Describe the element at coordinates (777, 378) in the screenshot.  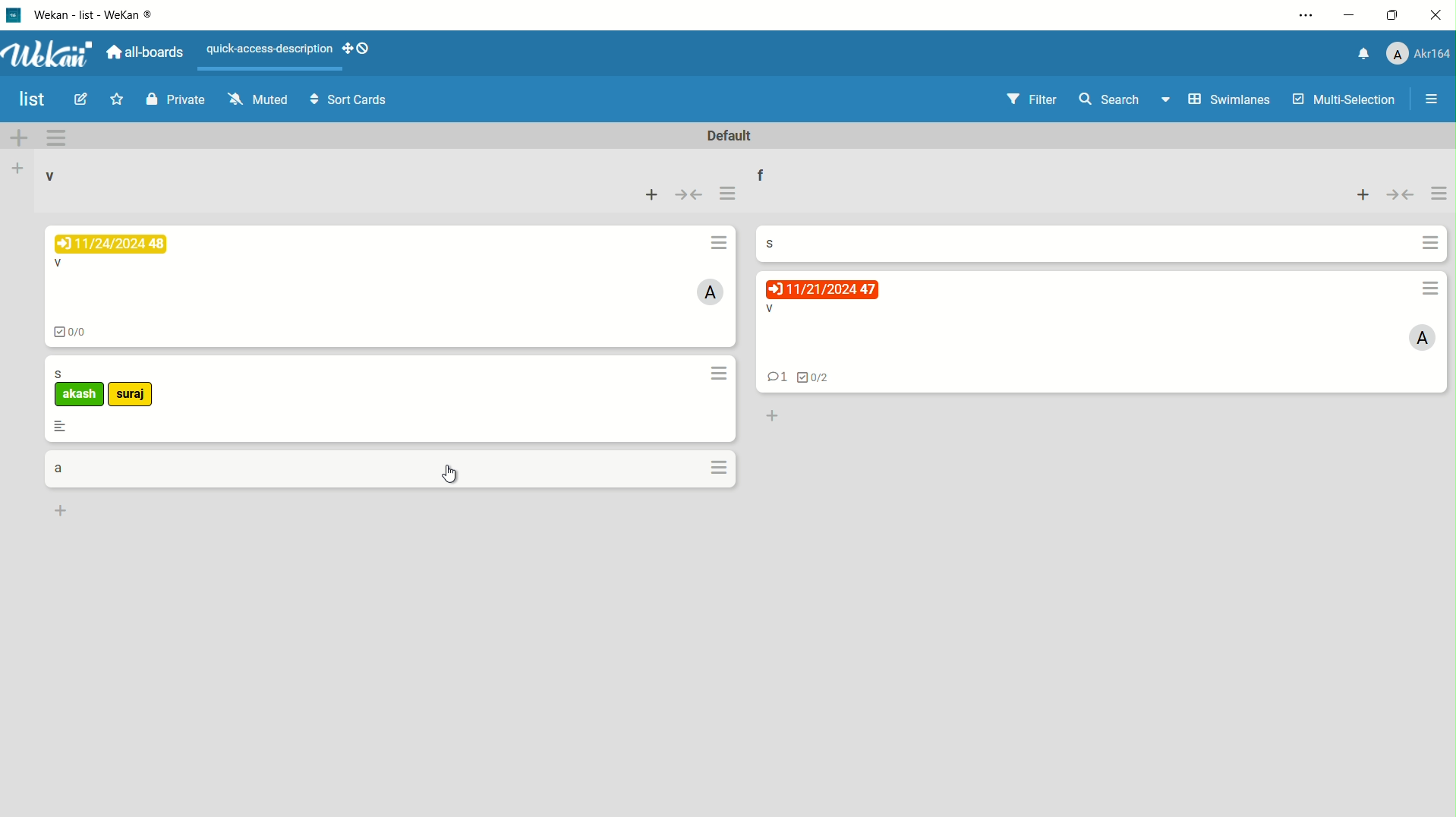
I see `comment` at that location.